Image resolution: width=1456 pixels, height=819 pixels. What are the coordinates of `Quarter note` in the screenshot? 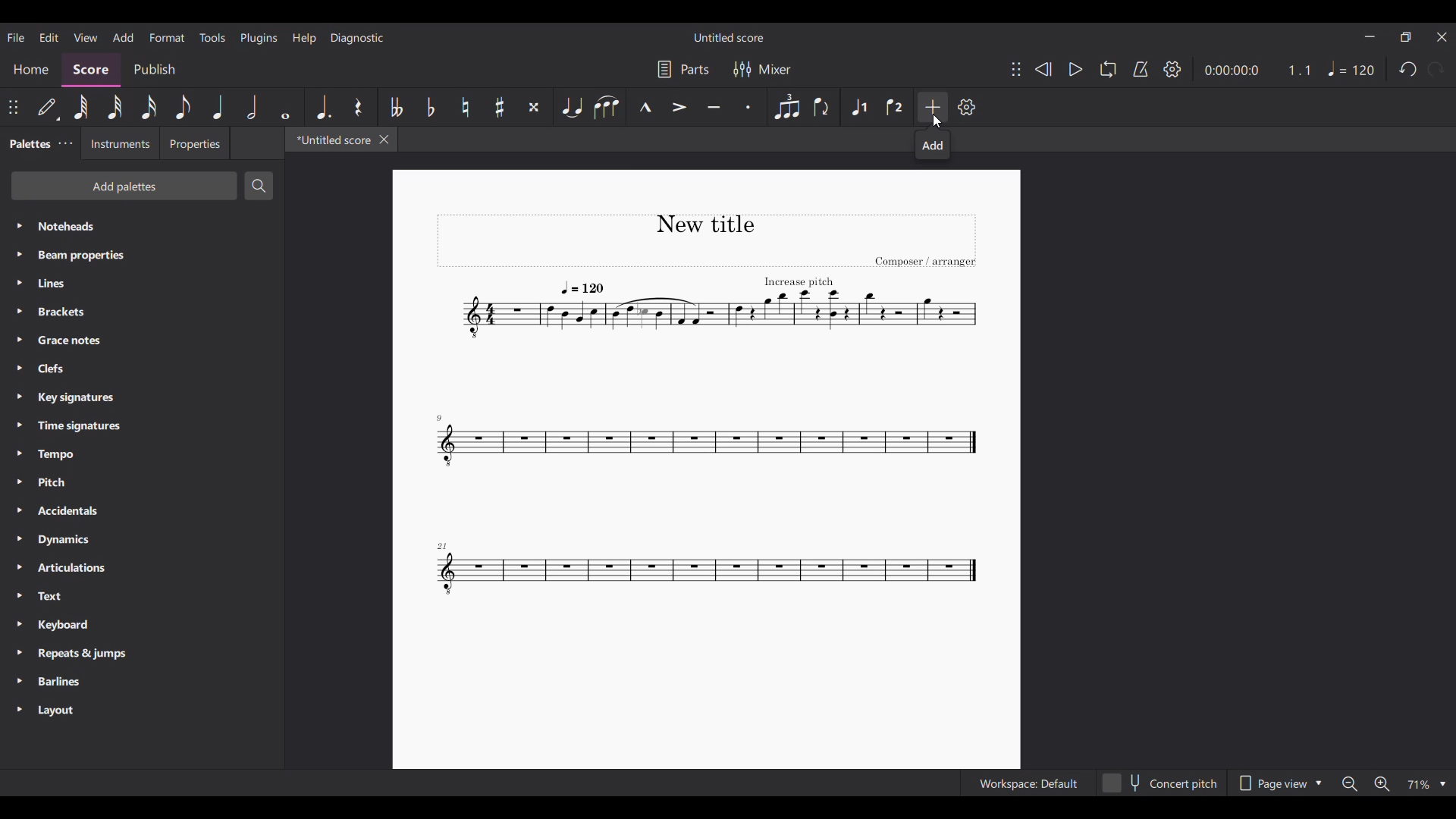 It's located at (218, 107).